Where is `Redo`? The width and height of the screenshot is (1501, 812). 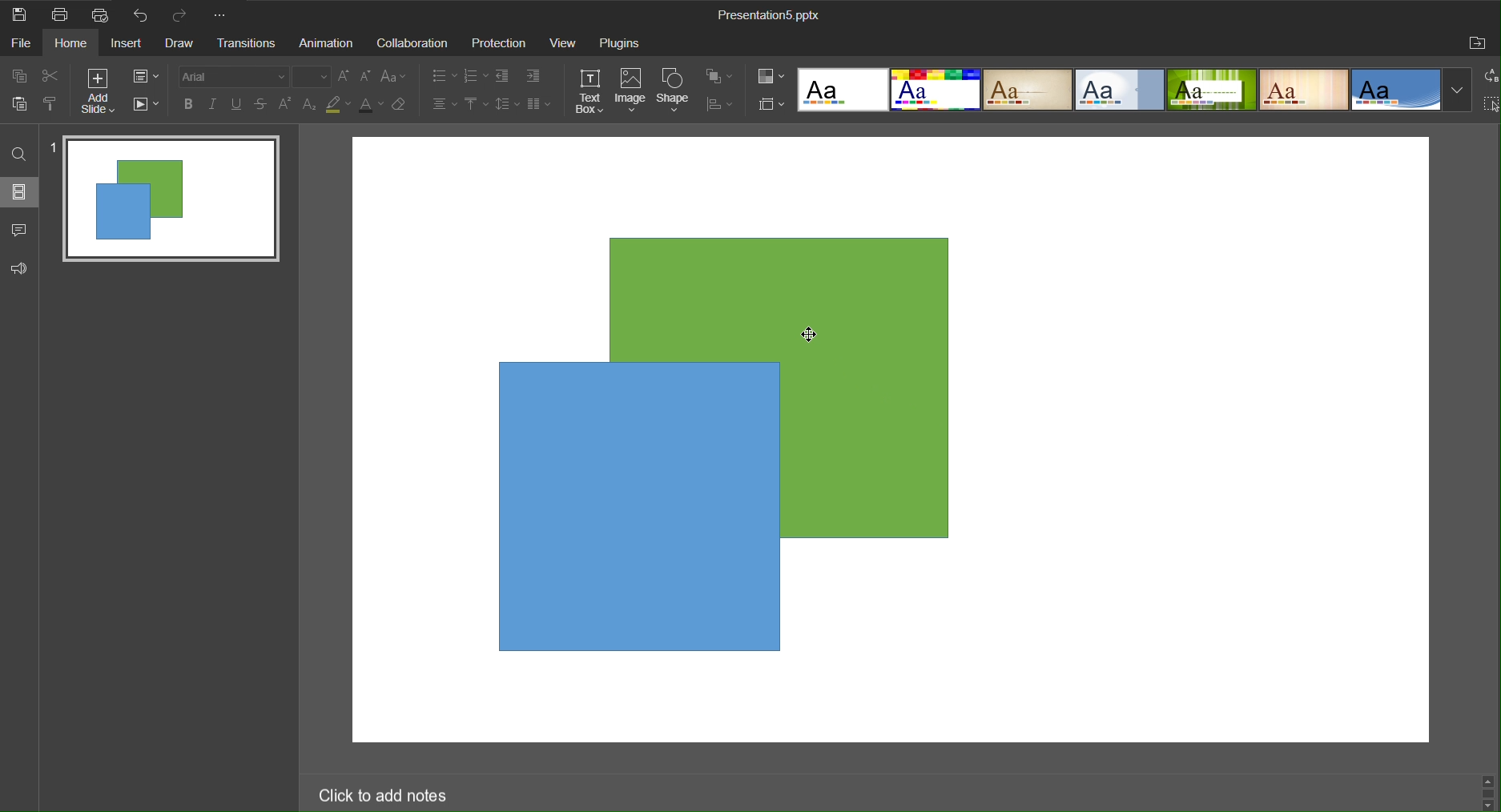
Redo is located at coordinates (183, 14).